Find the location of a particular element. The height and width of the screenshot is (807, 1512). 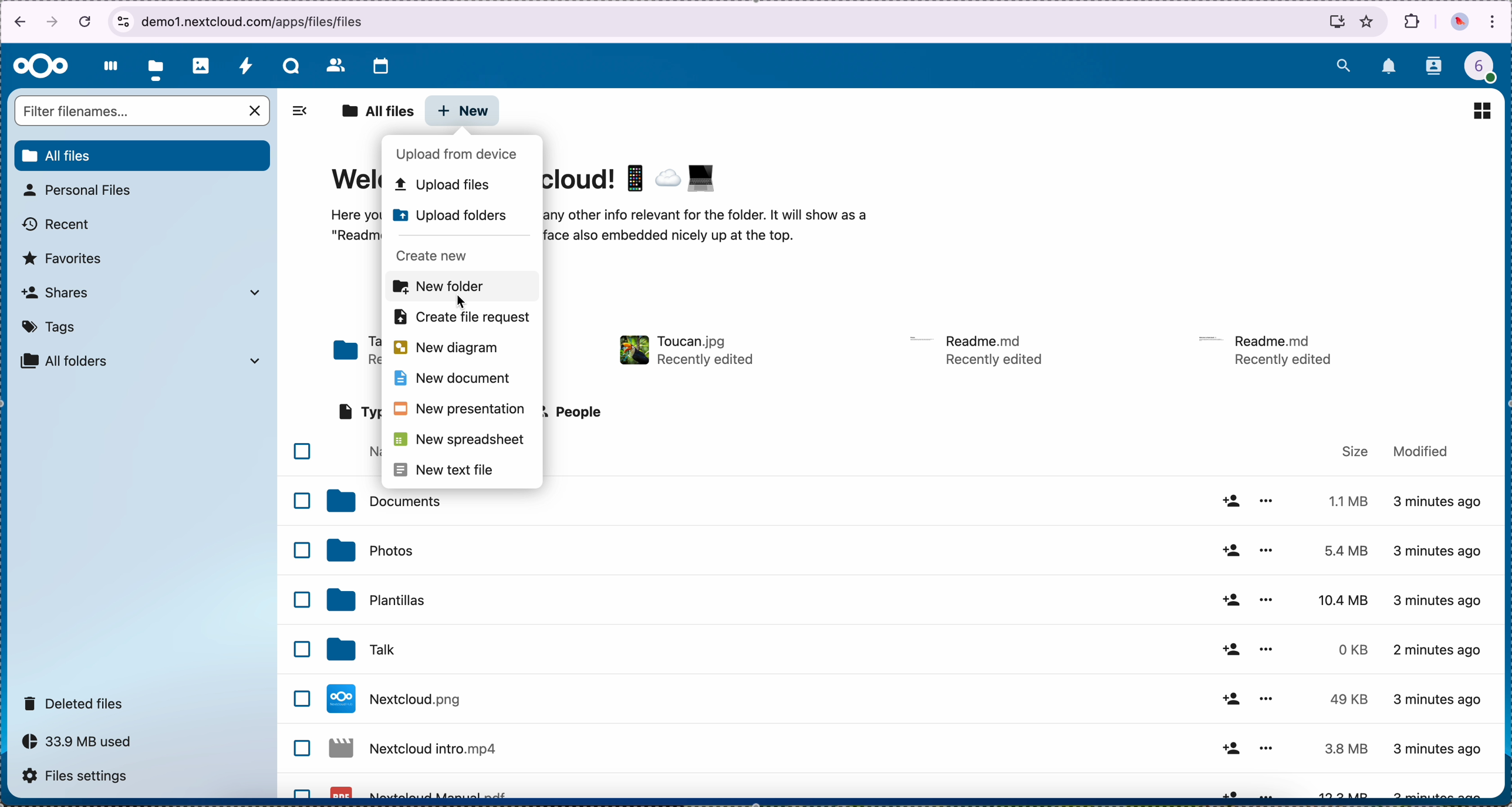

all files is located at coordinates (377, 112).